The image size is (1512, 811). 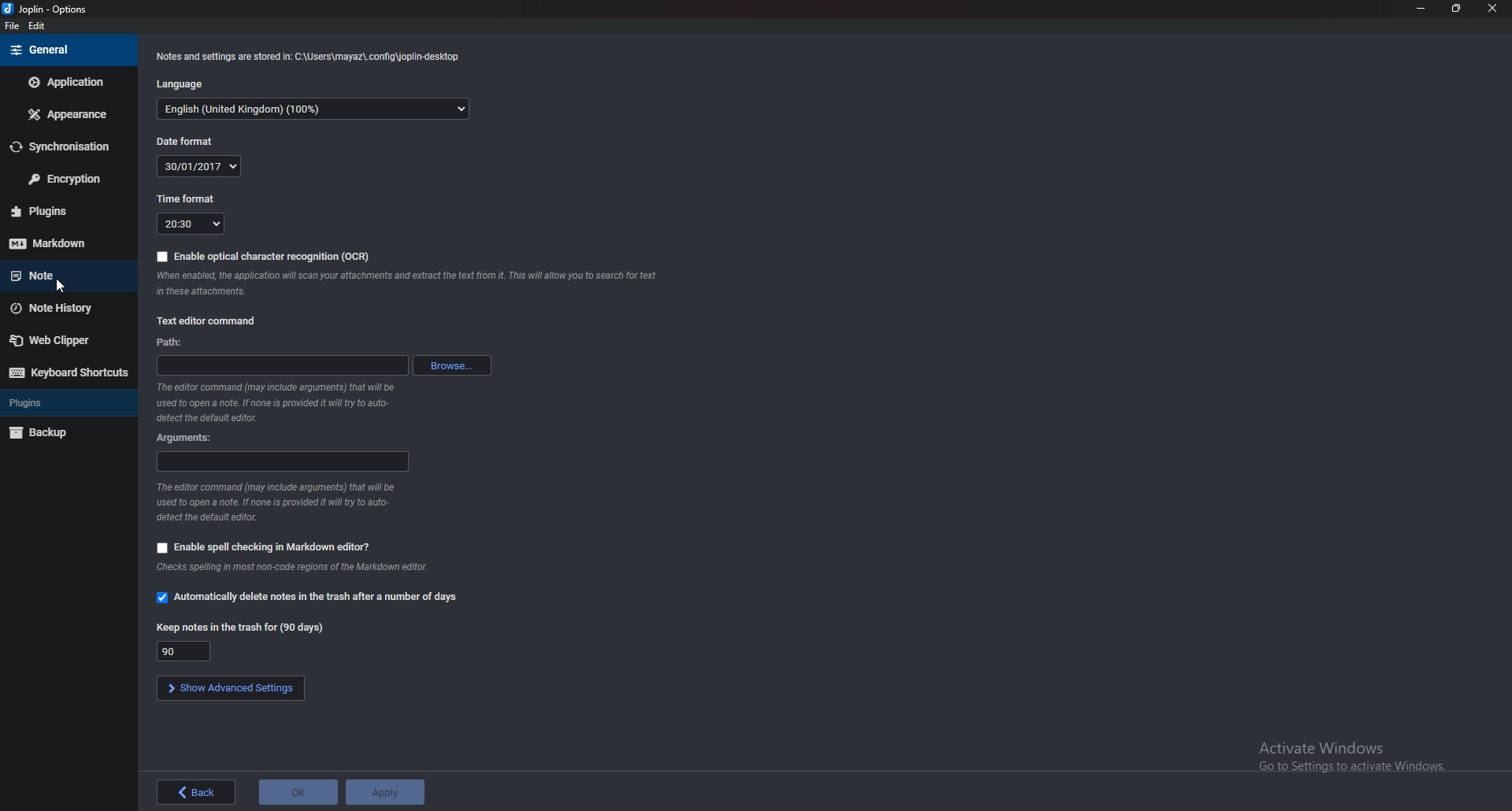 I want to click on Date format, so click(x=202, y=166).